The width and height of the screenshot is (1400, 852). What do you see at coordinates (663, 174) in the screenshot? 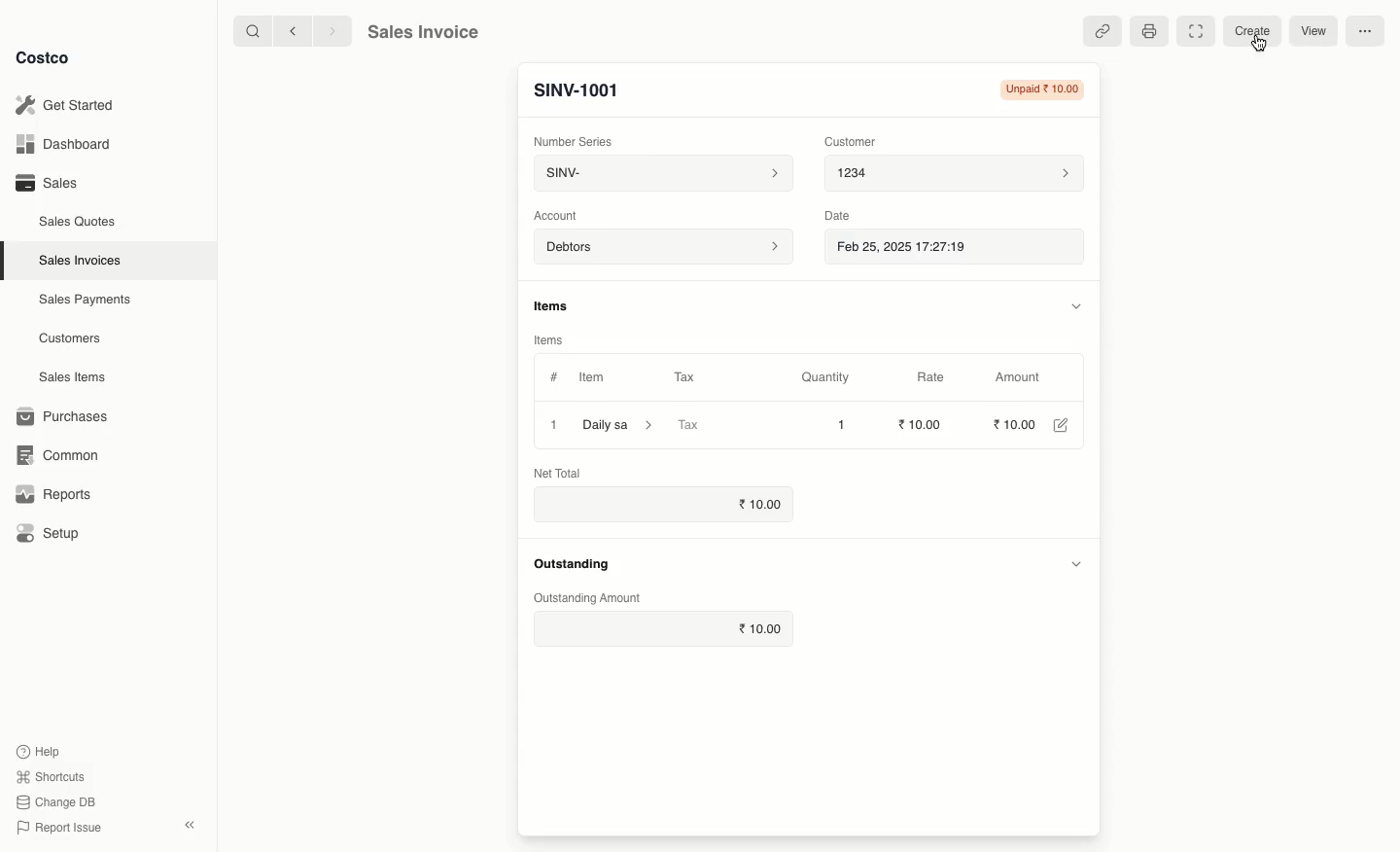
I see `SINV-` at bounding box center [663, 174].